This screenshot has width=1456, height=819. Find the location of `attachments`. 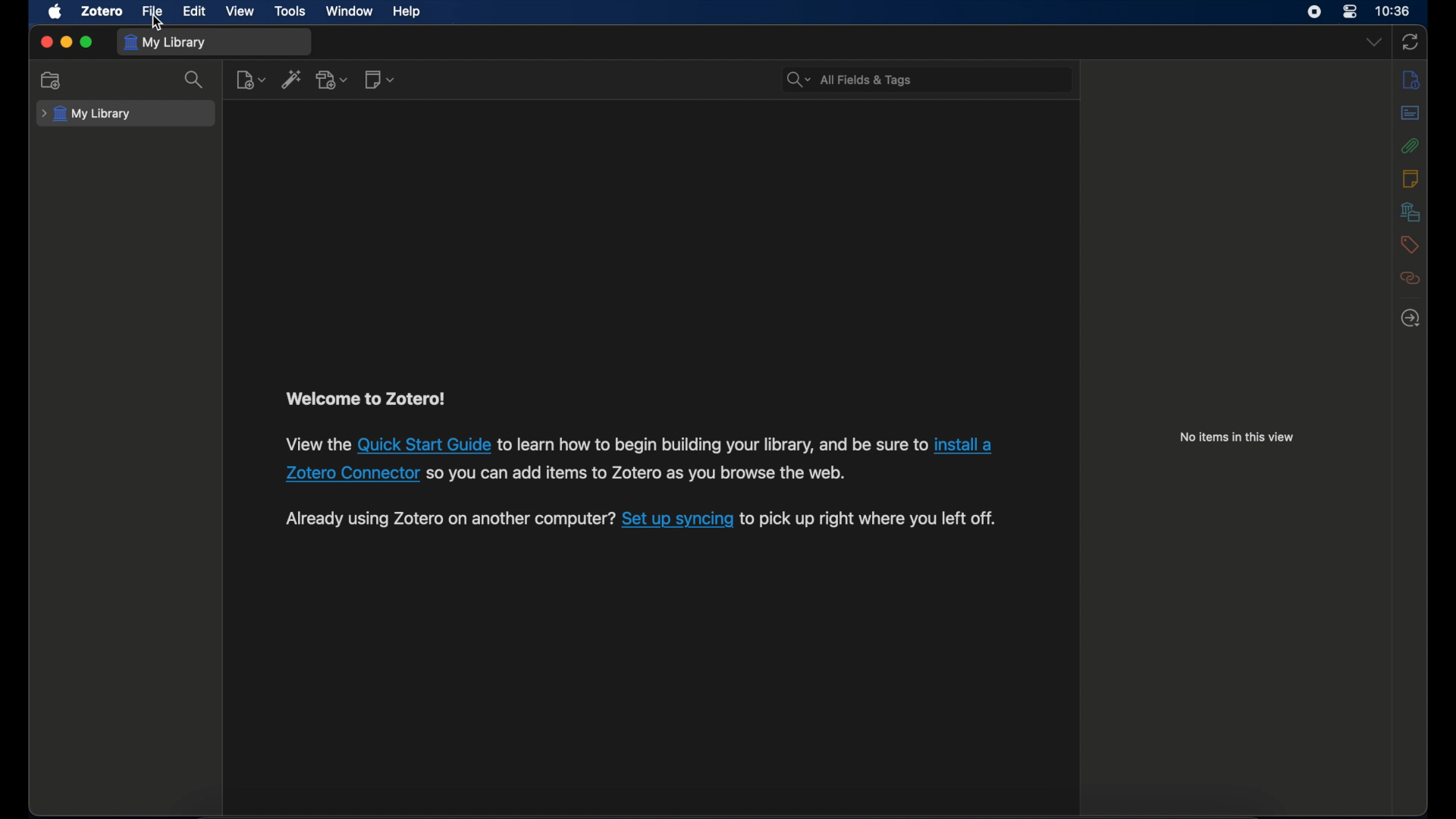

attachments is located at coordinates (1410, 146).